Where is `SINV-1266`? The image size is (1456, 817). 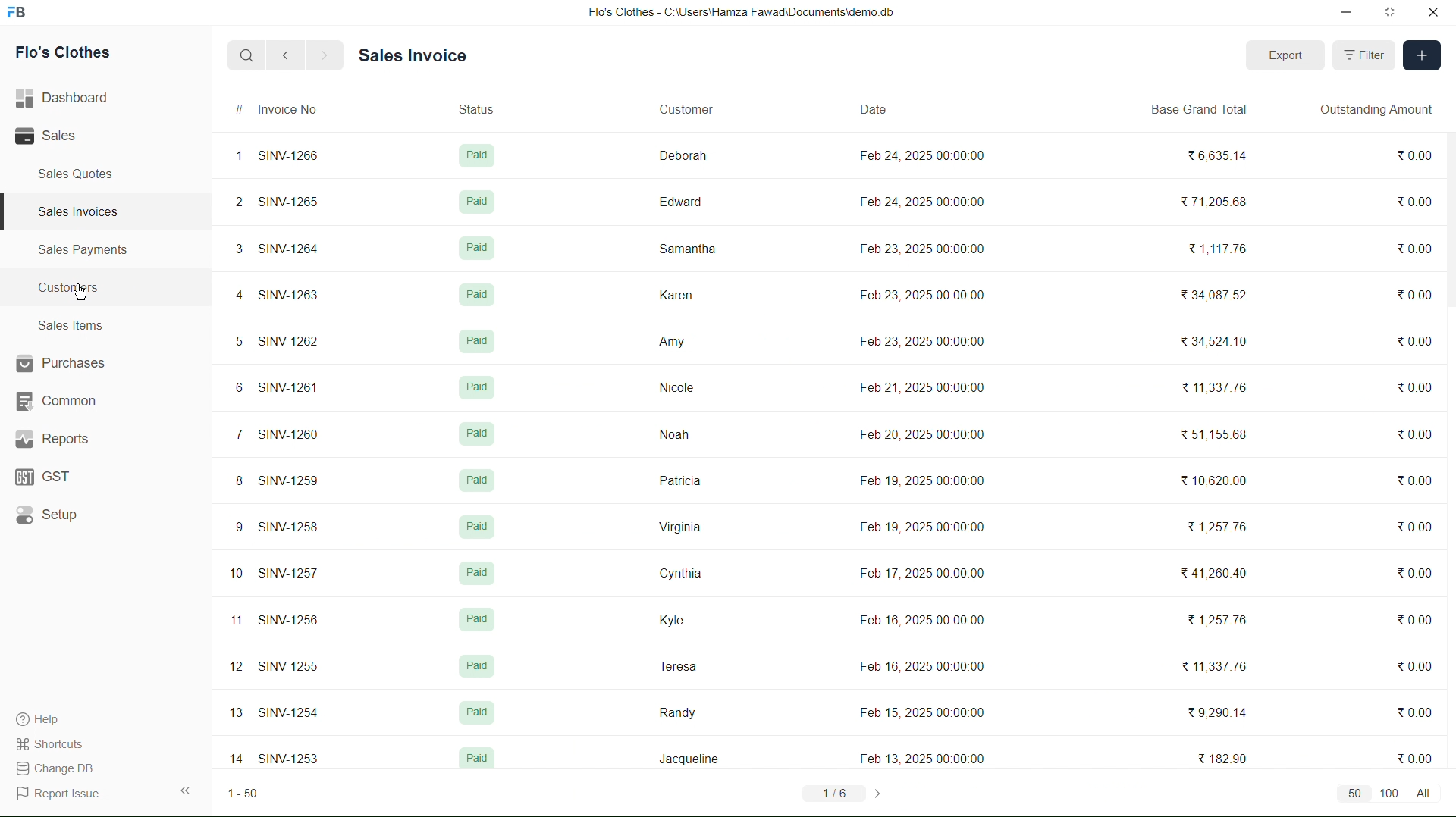 SINV-1266 is located at coordinates (287, 156).